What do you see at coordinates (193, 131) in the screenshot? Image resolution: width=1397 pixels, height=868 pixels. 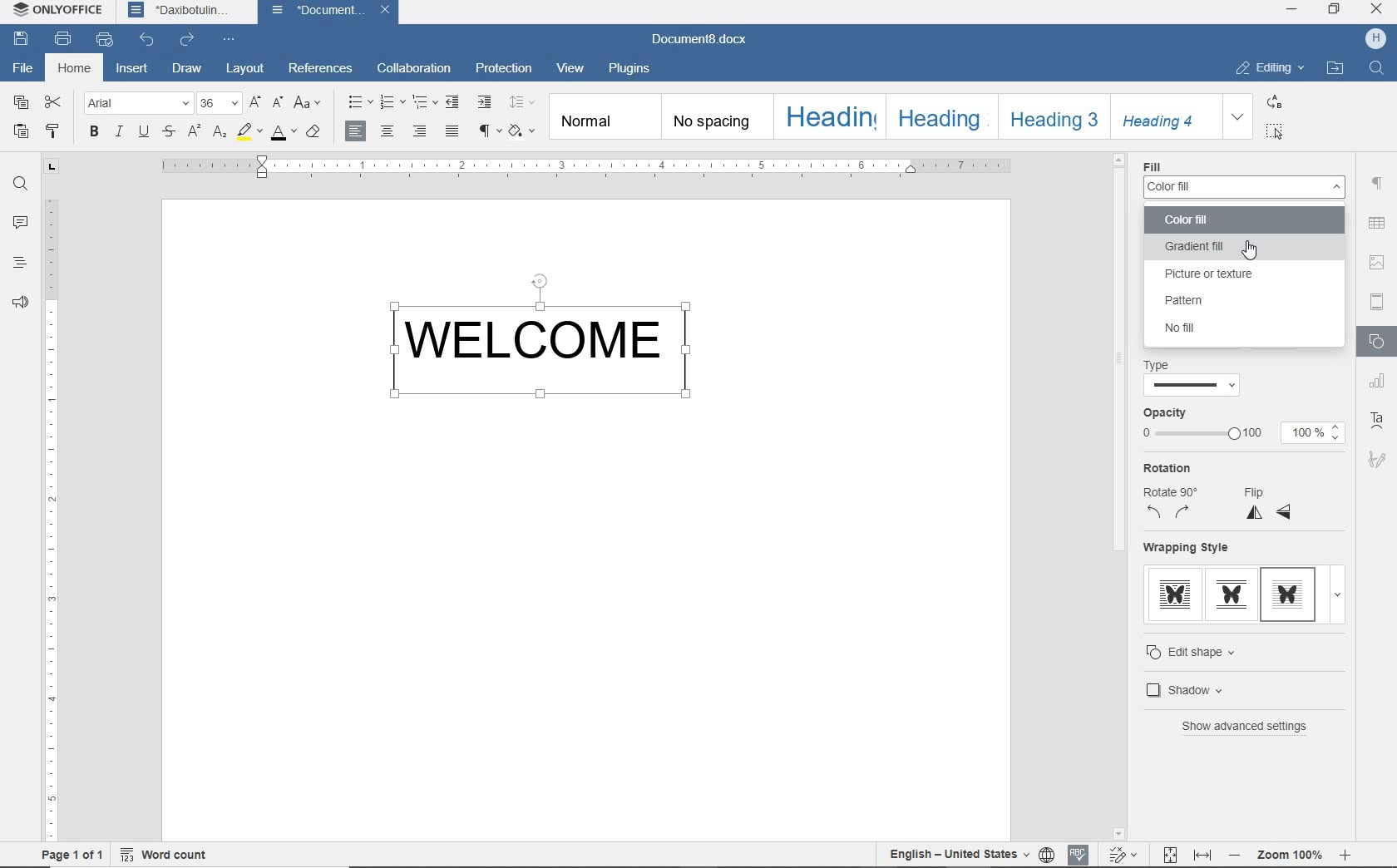 I see `SUPERSCRIPT` at bounding box center [193, 131].